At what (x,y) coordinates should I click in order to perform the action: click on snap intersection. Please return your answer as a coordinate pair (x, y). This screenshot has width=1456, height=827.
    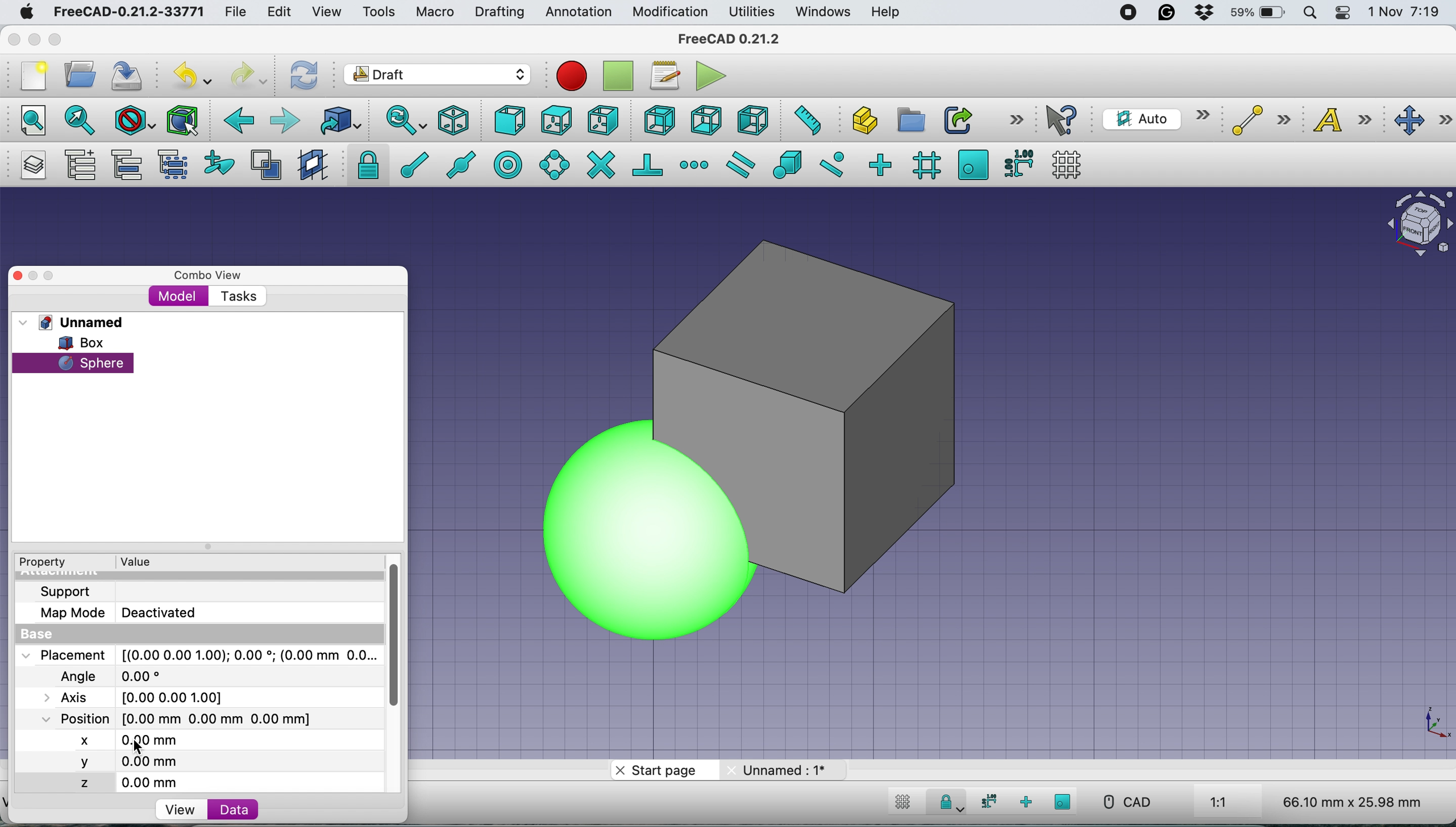
    Looking at the image, I should click on (600, 164).